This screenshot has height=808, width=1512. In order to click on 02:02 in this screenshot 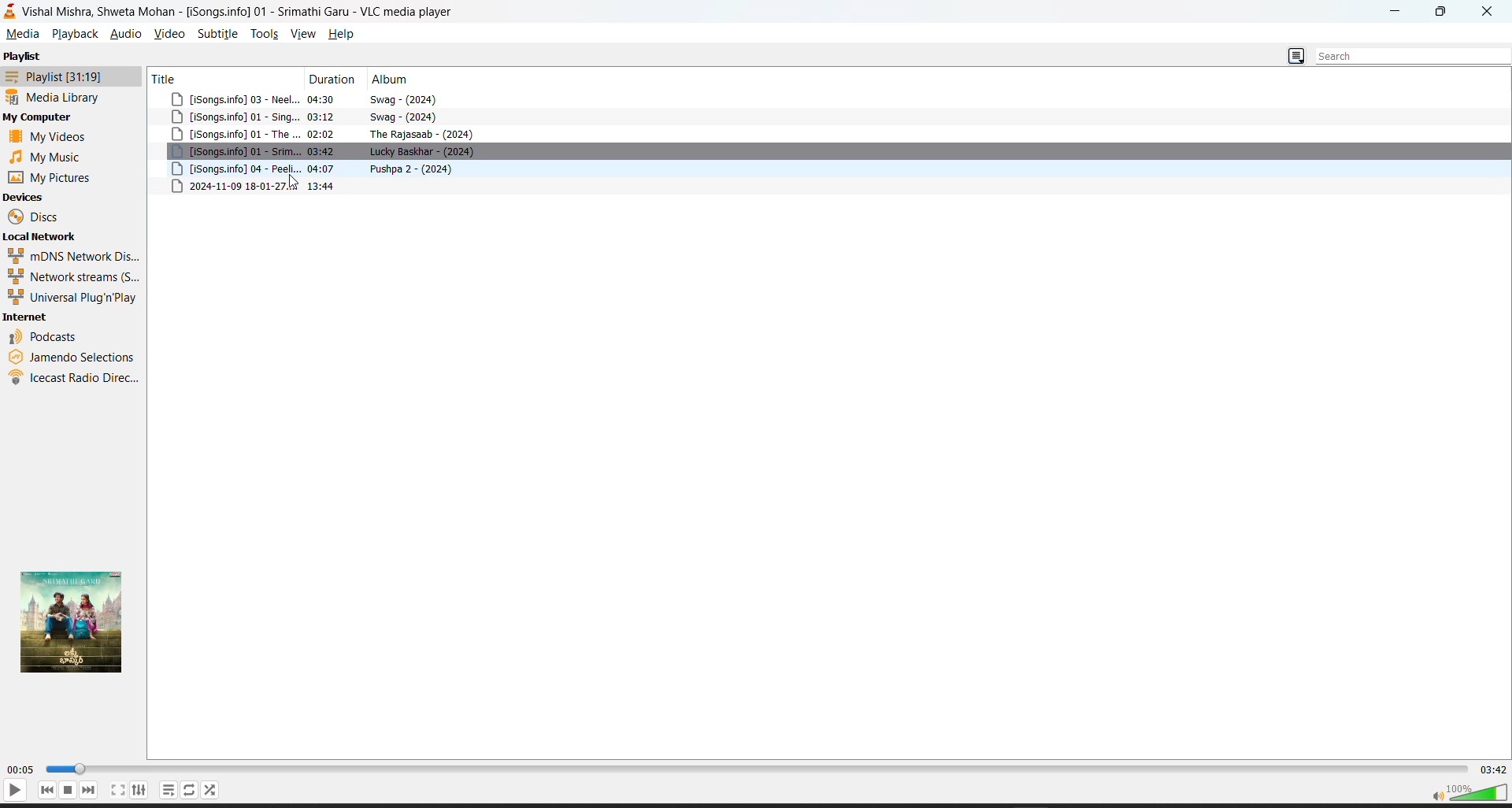, I will do `click(324, 133)`.